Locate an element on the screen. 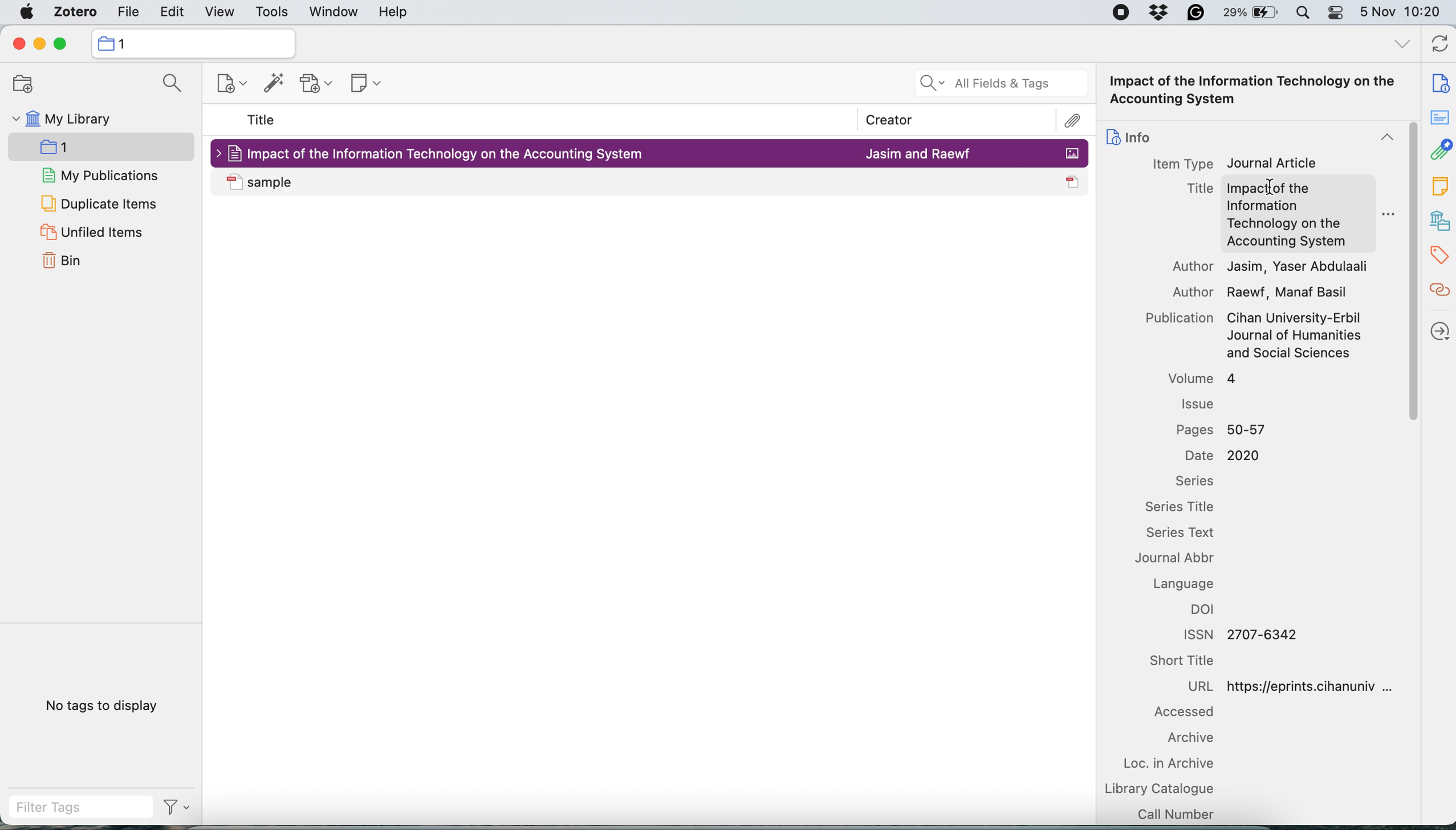  series text is located at coordinates (1187, 533).